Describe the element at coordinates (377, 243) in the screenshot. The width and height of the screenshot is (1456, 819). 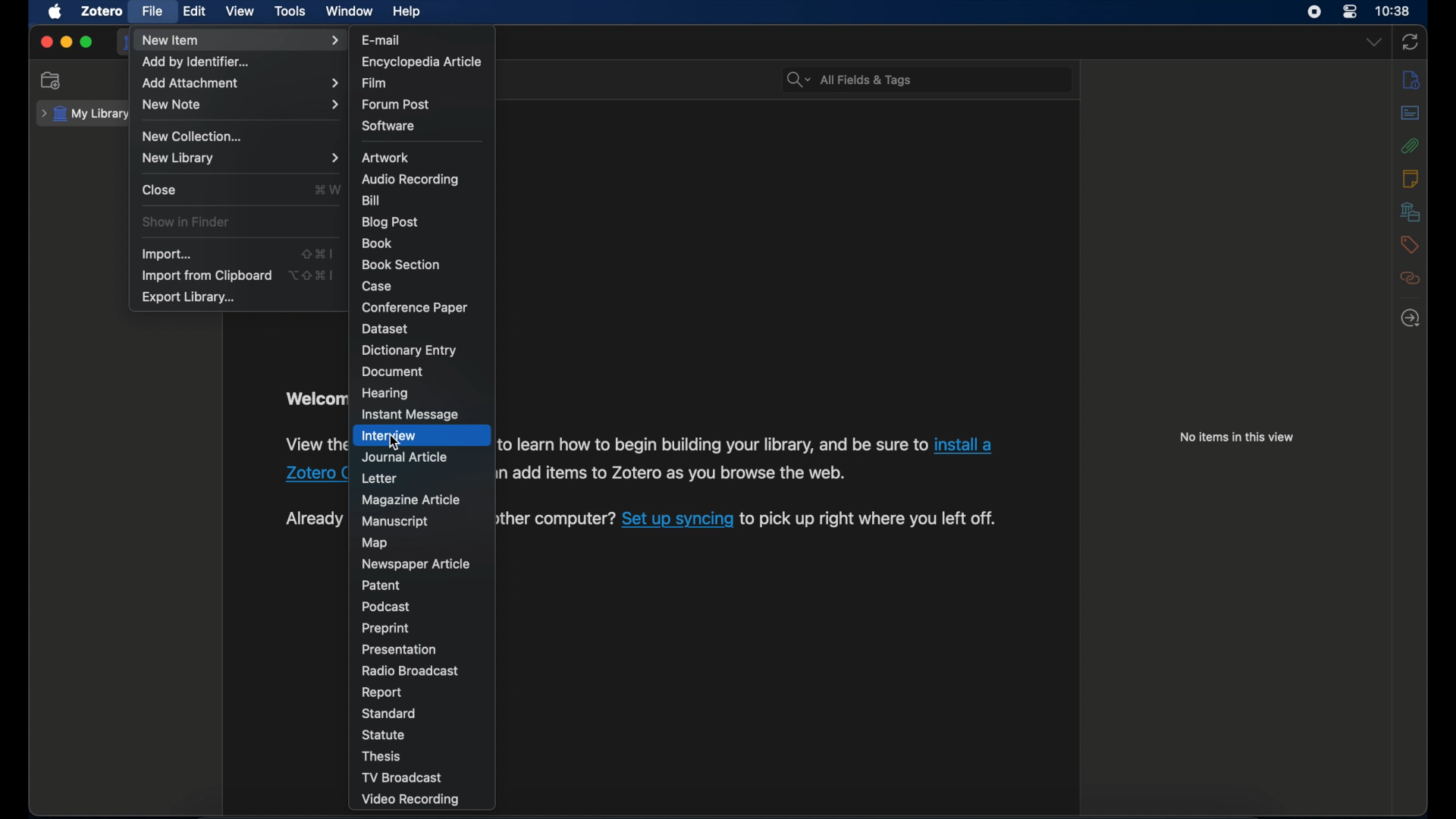
I see `book` at that location.